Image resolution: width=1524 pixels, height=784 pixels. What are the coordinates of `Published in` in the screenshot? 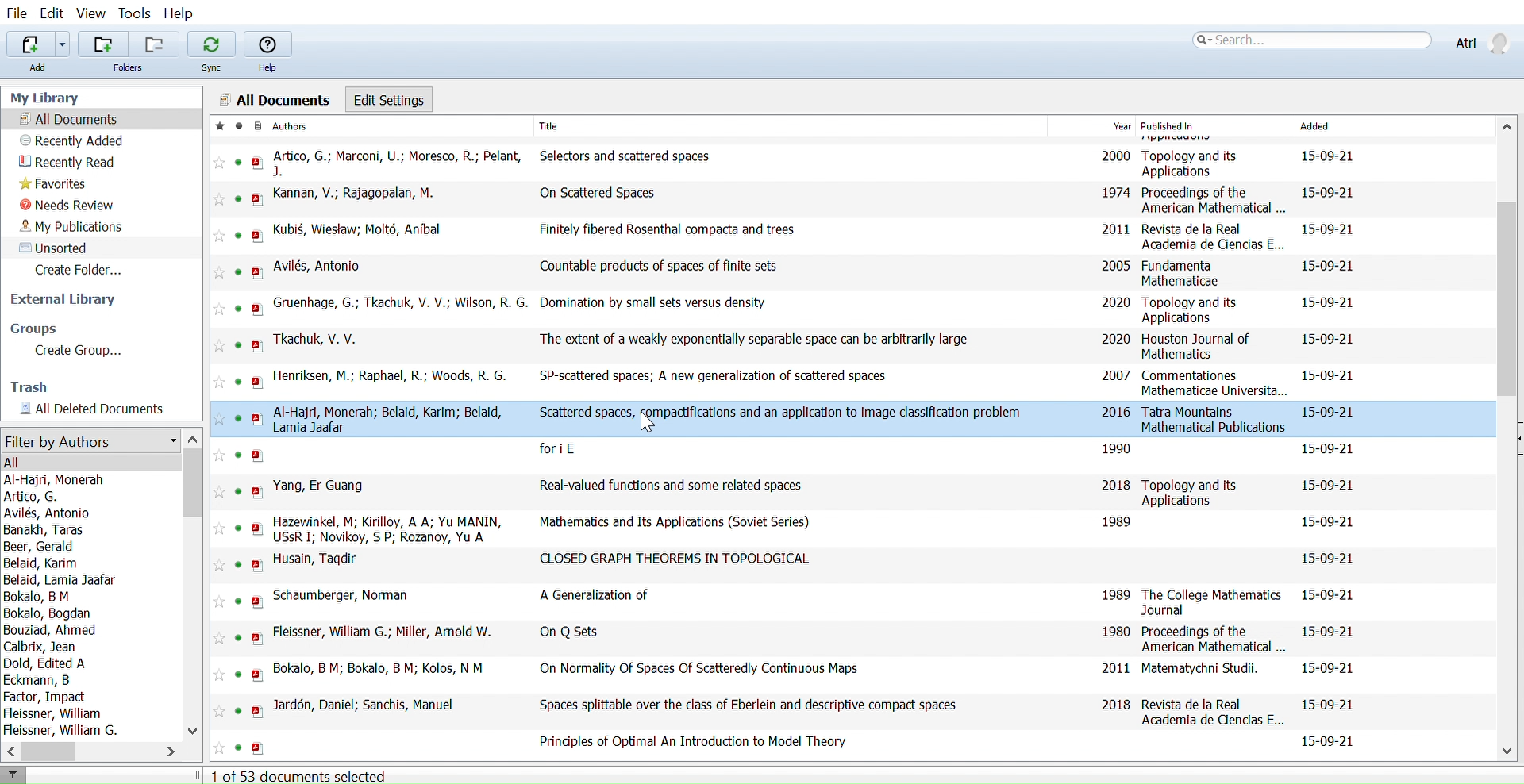 It's located at (1212, 126).